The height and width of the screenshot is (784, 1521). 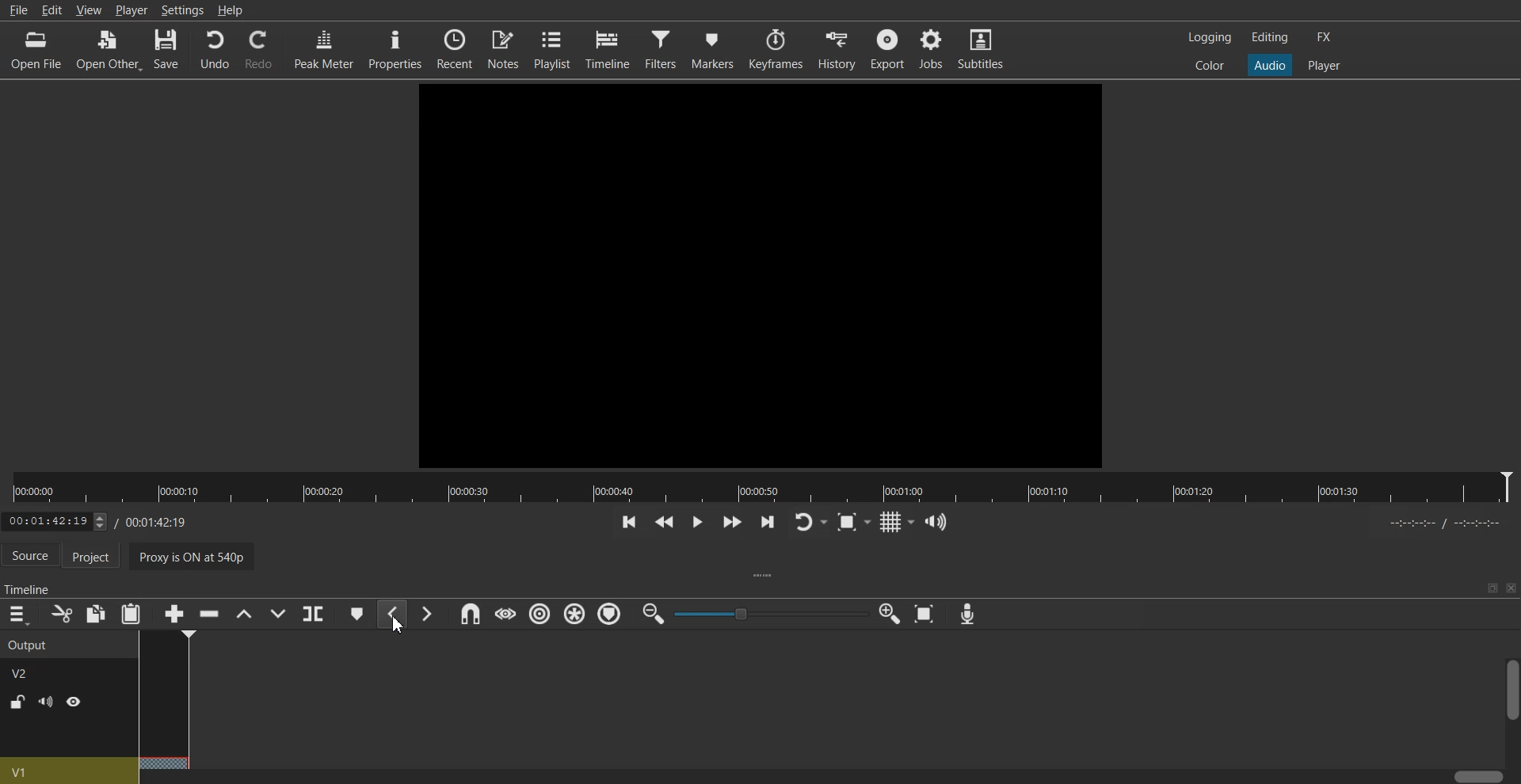 What do you see at coordinates (97, 557) in the screenshot?
I see `Project` at bounding box center [97, 557].